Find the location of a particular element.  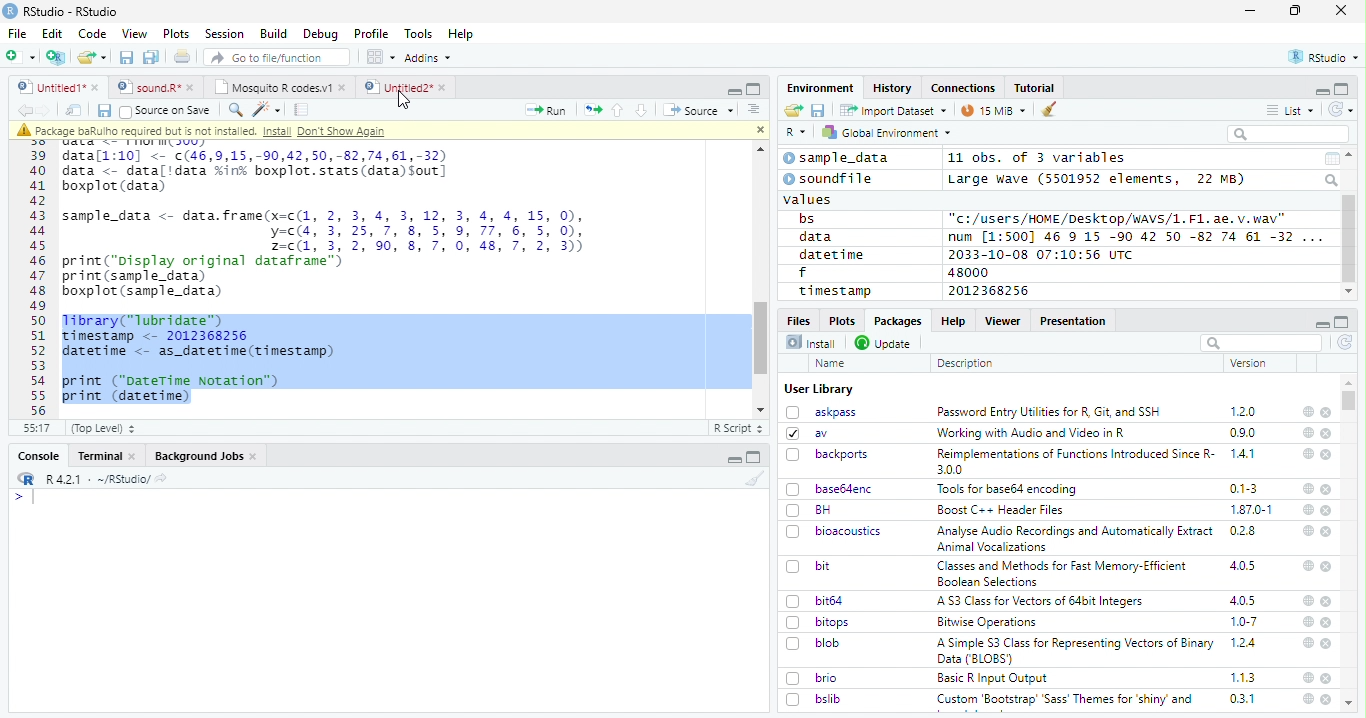

full screen is located at coordinates (1342, 89).